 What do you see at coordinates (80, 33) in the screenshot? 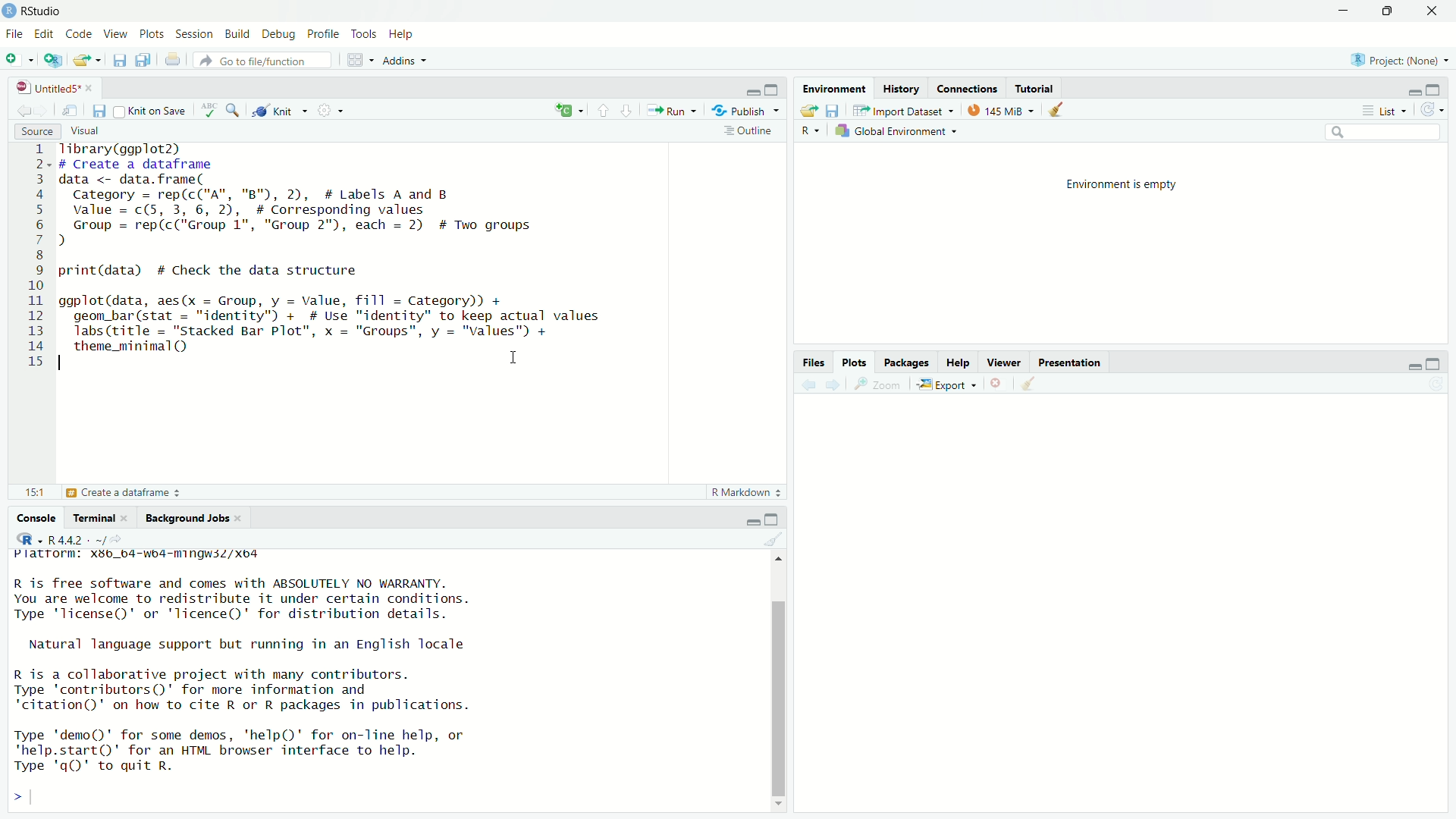
I see `Code` at bounding box center [80, 33].